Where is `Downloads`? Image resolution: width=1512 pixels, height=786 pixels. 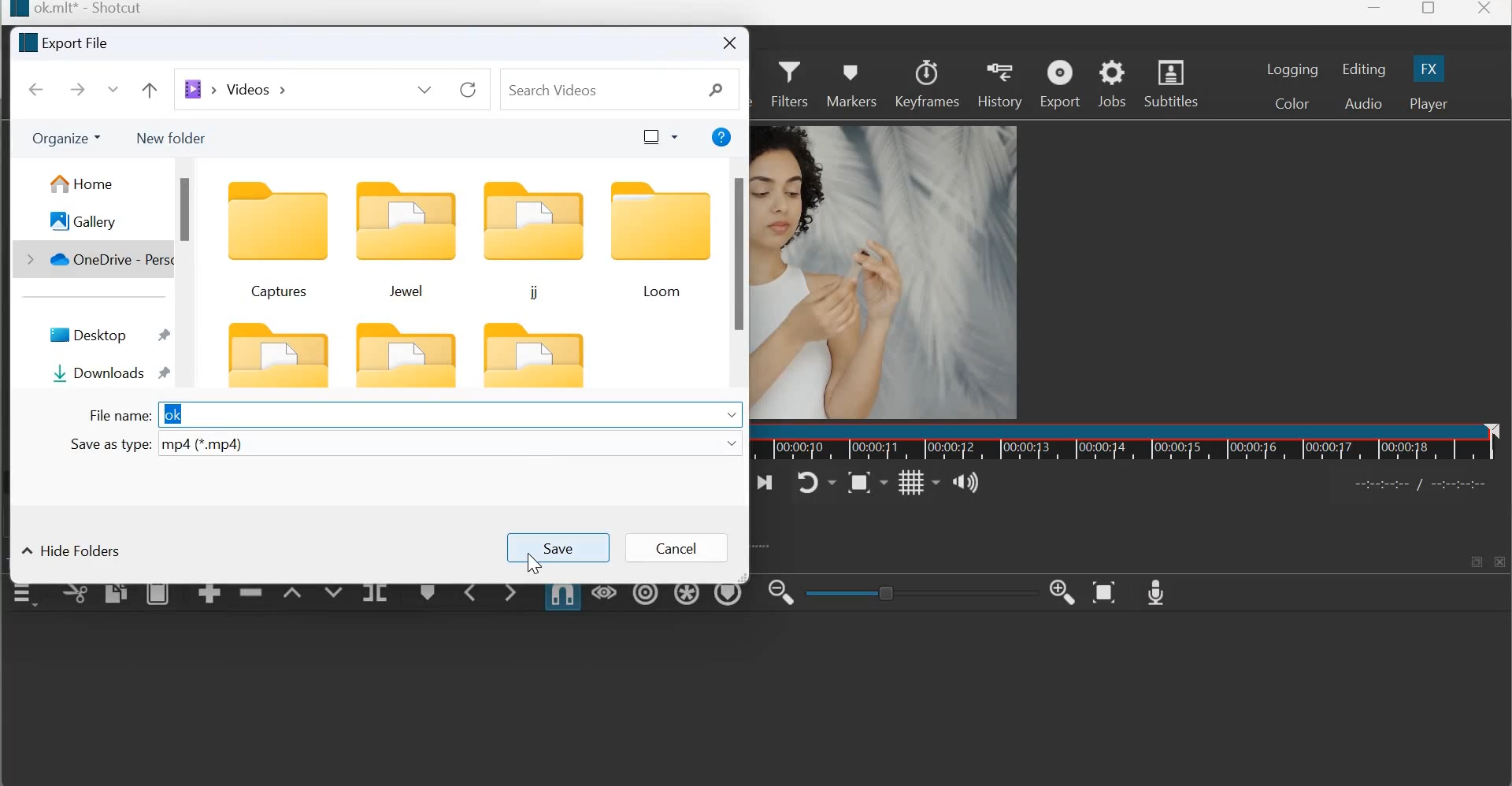 Downloads is located at coordinates (102, 372).